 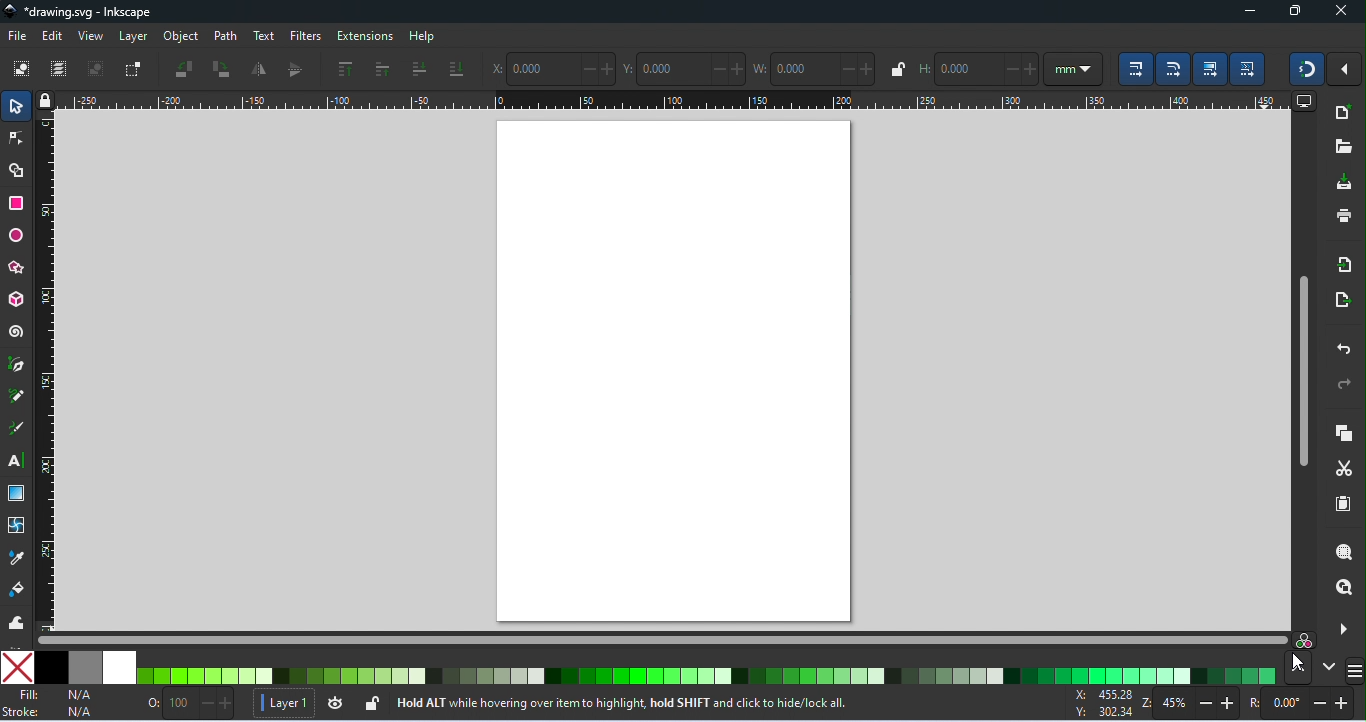 I want to click on tweak, so click(x=16, y=622).